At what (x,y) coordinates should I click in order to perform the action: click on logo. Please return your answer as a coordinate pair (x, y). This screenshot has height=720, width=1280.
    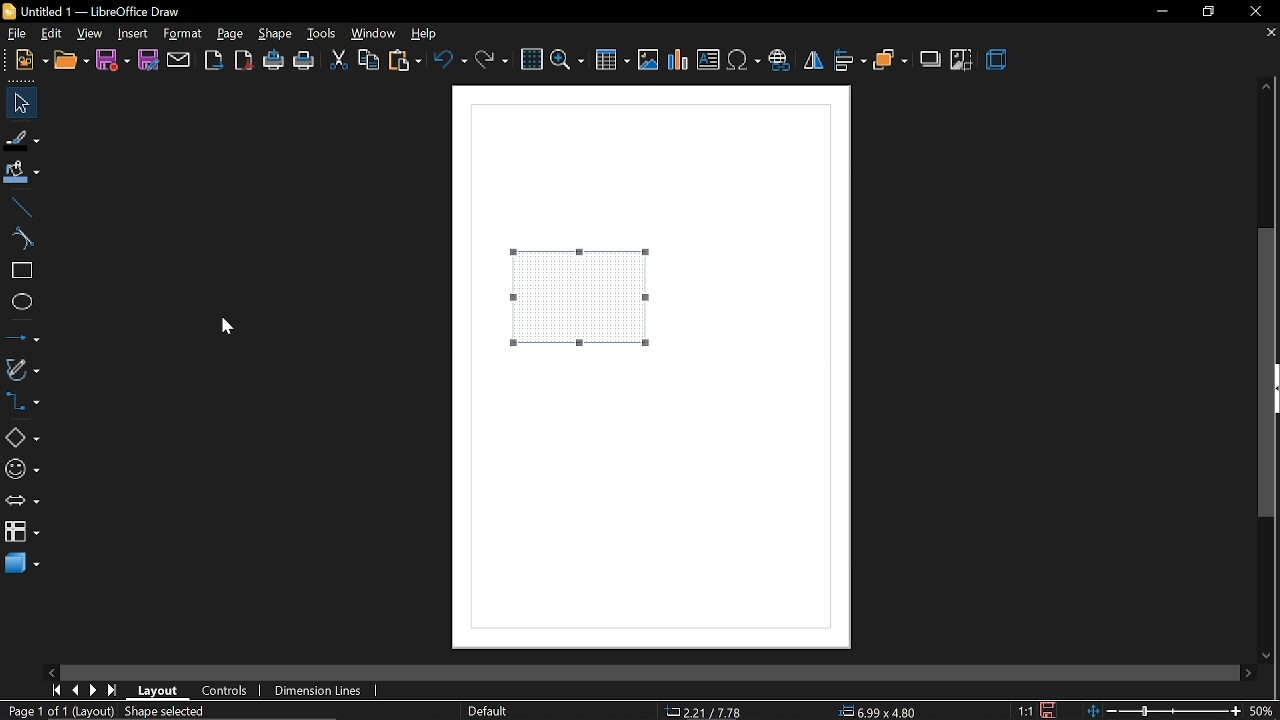
    Looking at the image, I should click on (8, 10).